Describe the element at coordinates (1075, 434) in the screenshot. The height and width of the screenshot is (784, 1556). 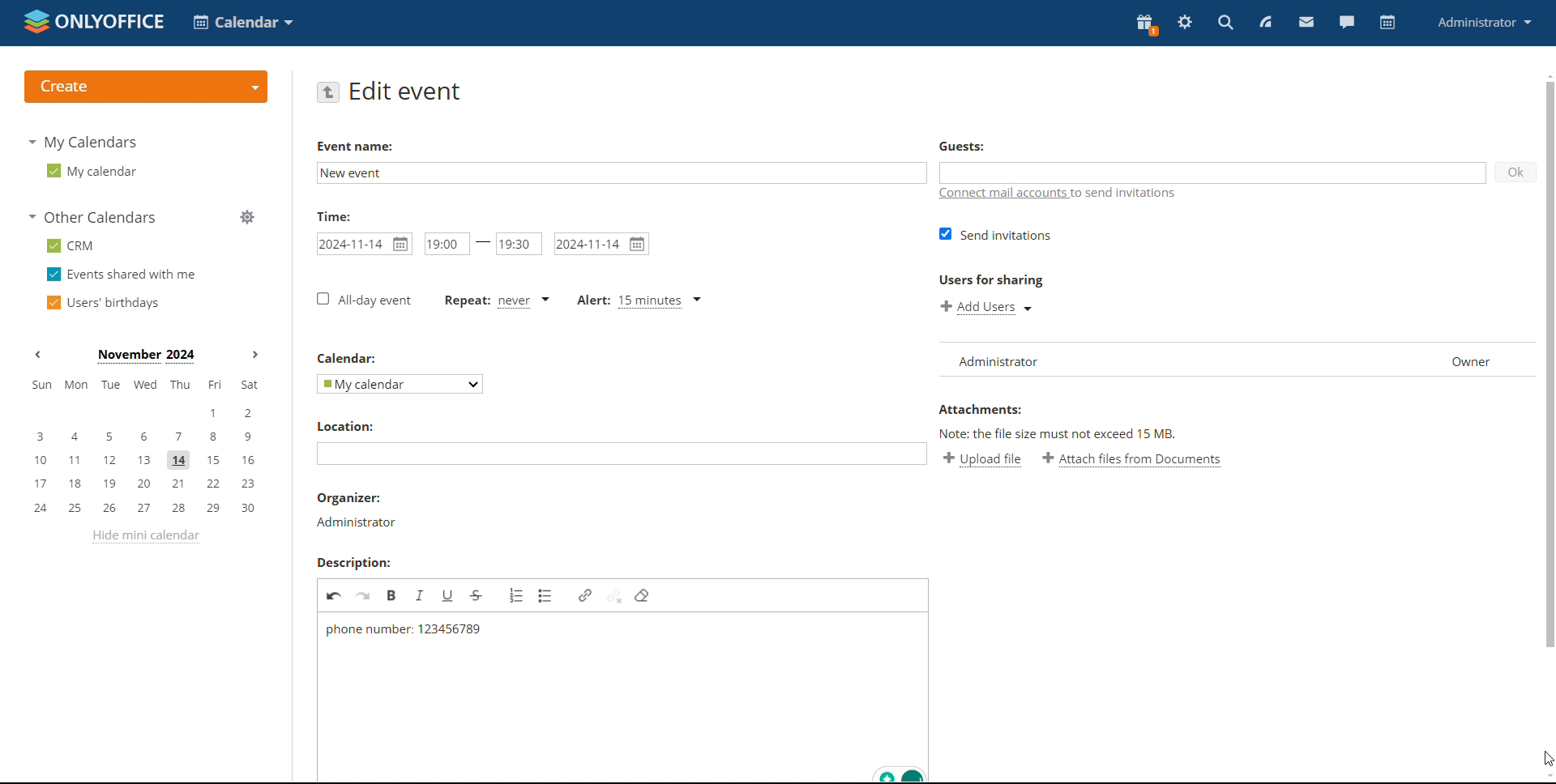
I see `text` at that location.